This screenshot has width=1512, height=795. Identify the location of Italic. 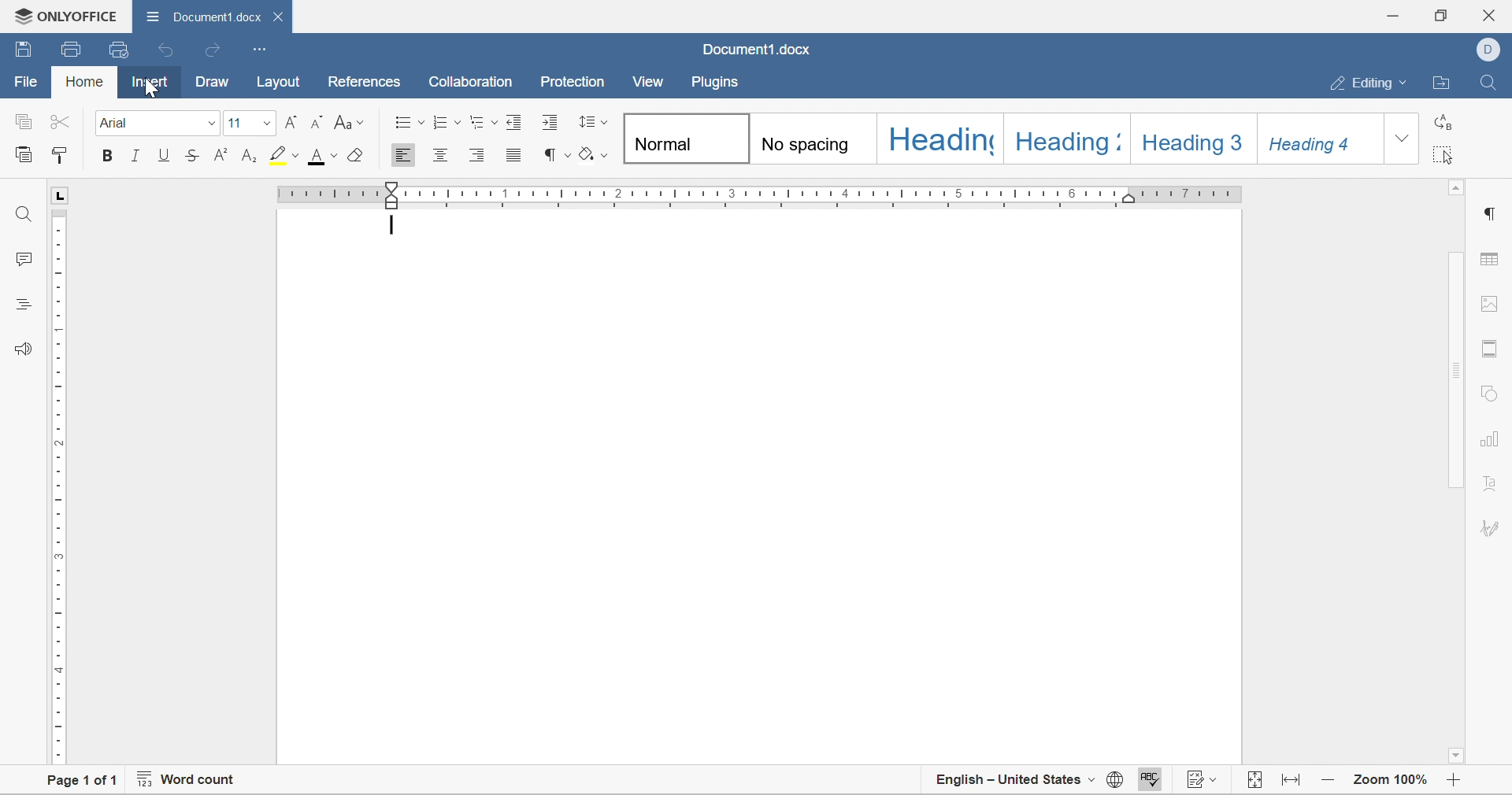
(138, 157).